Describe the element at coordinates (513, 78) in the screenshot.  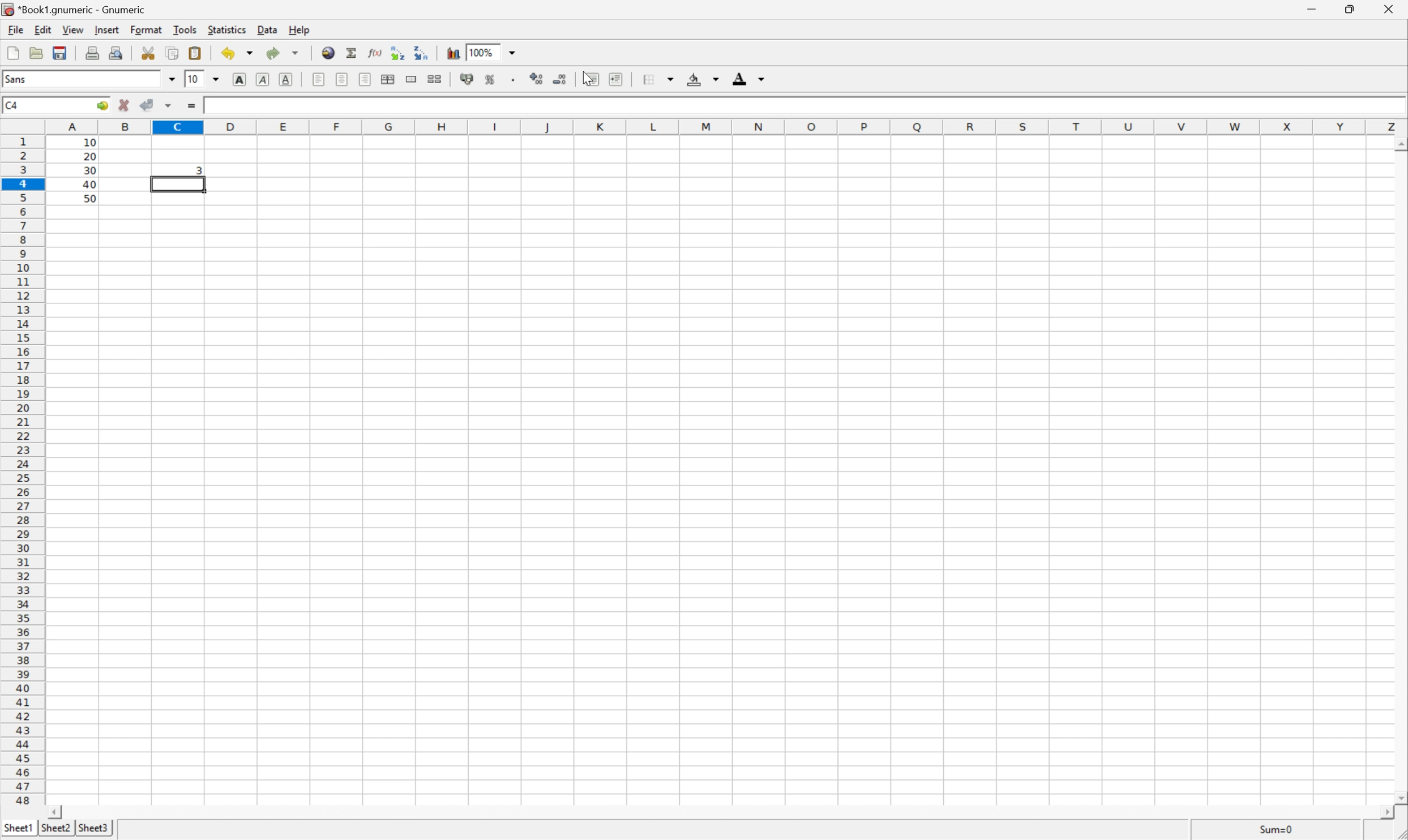
I see `Set the format of the selected cells to include a thousands separator` at that location.